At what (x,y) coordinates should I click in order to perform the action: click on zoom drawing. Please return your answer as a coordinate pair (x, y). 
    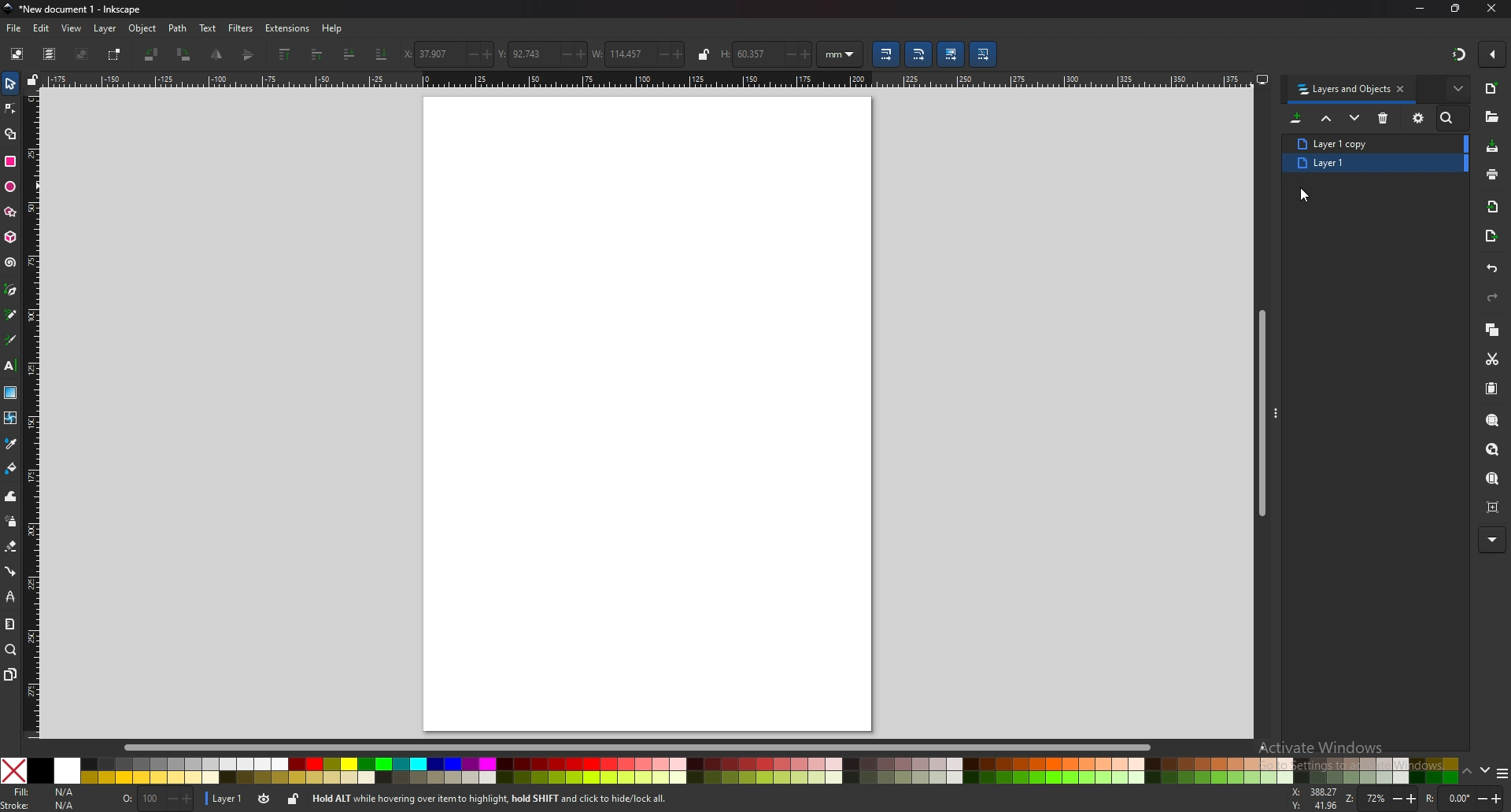
    Looking at the image, I should click on (1493, 448).